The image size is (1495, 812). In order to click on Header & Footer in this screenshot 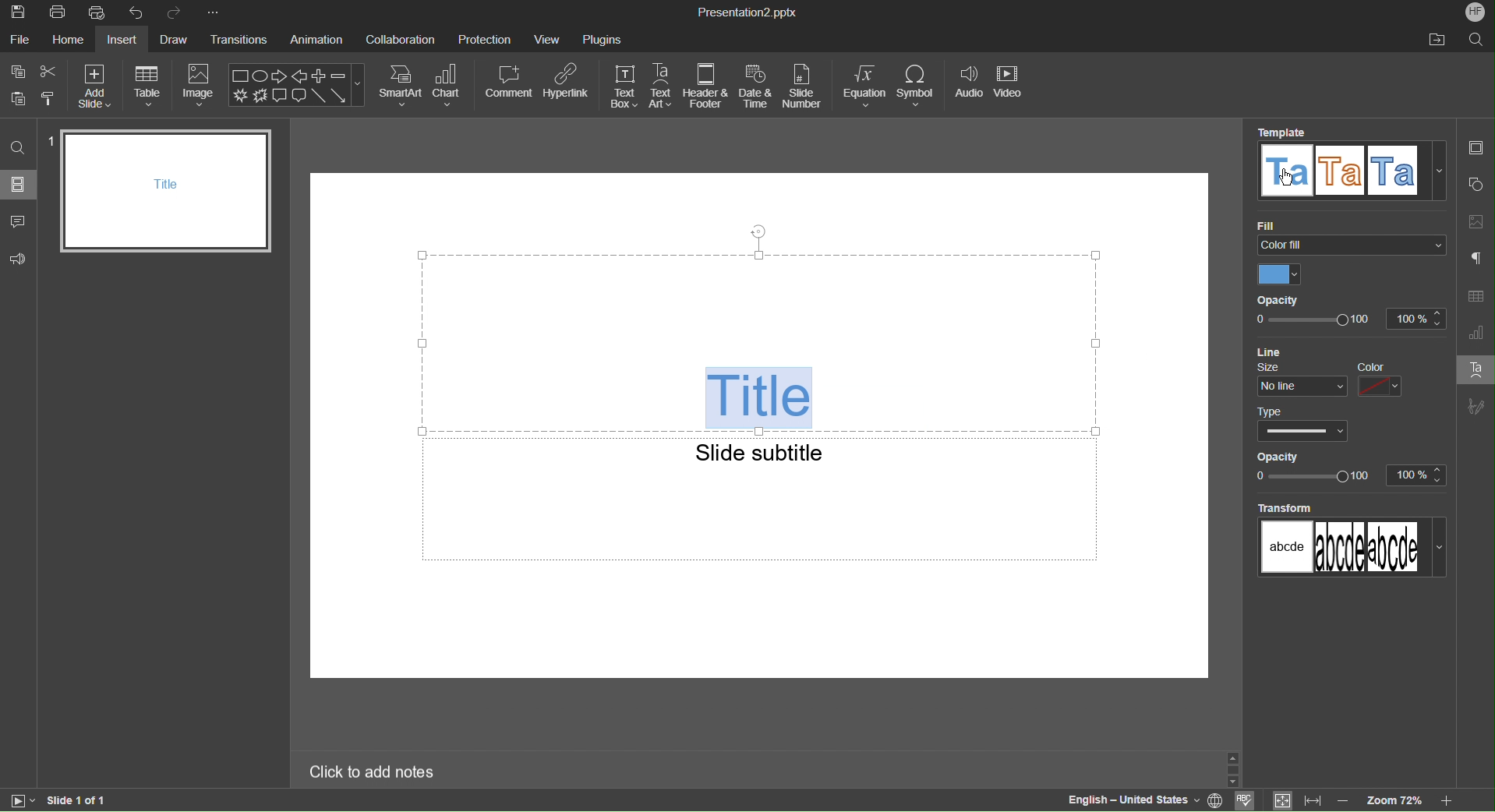, I will do `click(707, 86)`.